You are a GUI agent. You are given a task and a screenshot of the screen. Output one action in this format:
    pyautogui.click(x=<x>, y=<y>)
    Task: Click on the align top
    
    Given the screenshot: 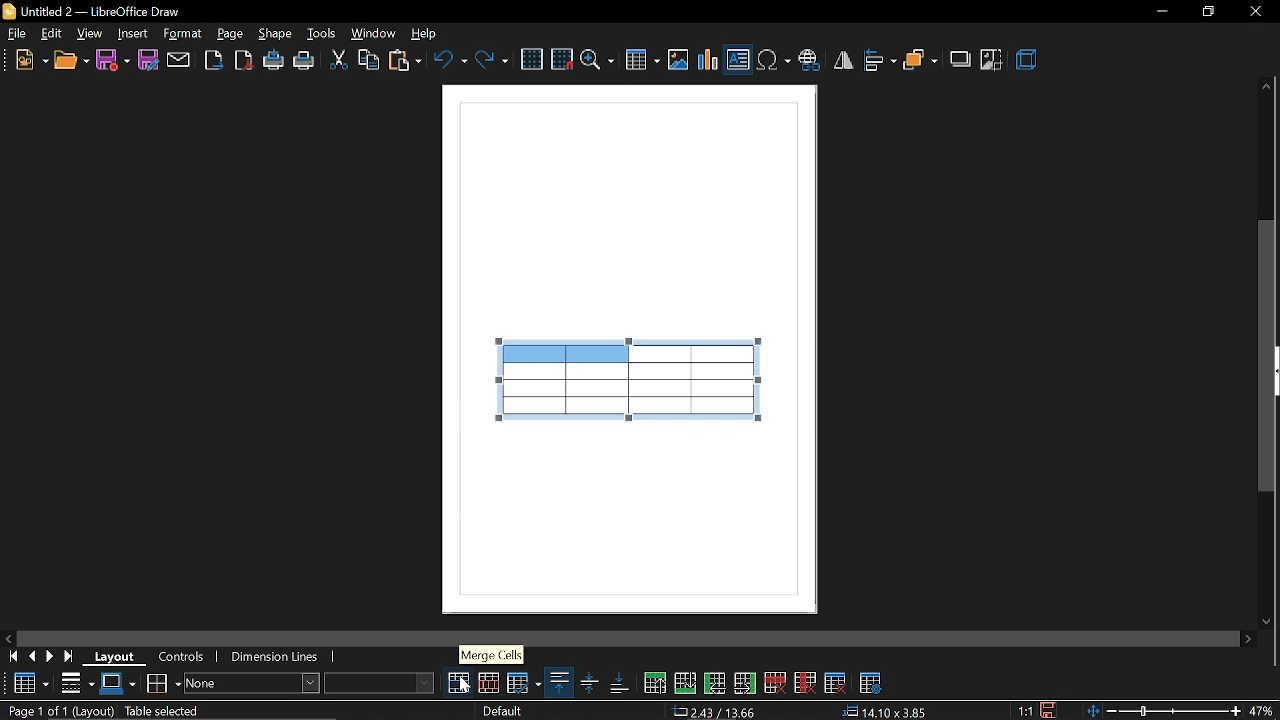 What is the action you would take?
    pyautogui.click(x=558, y=682)
    